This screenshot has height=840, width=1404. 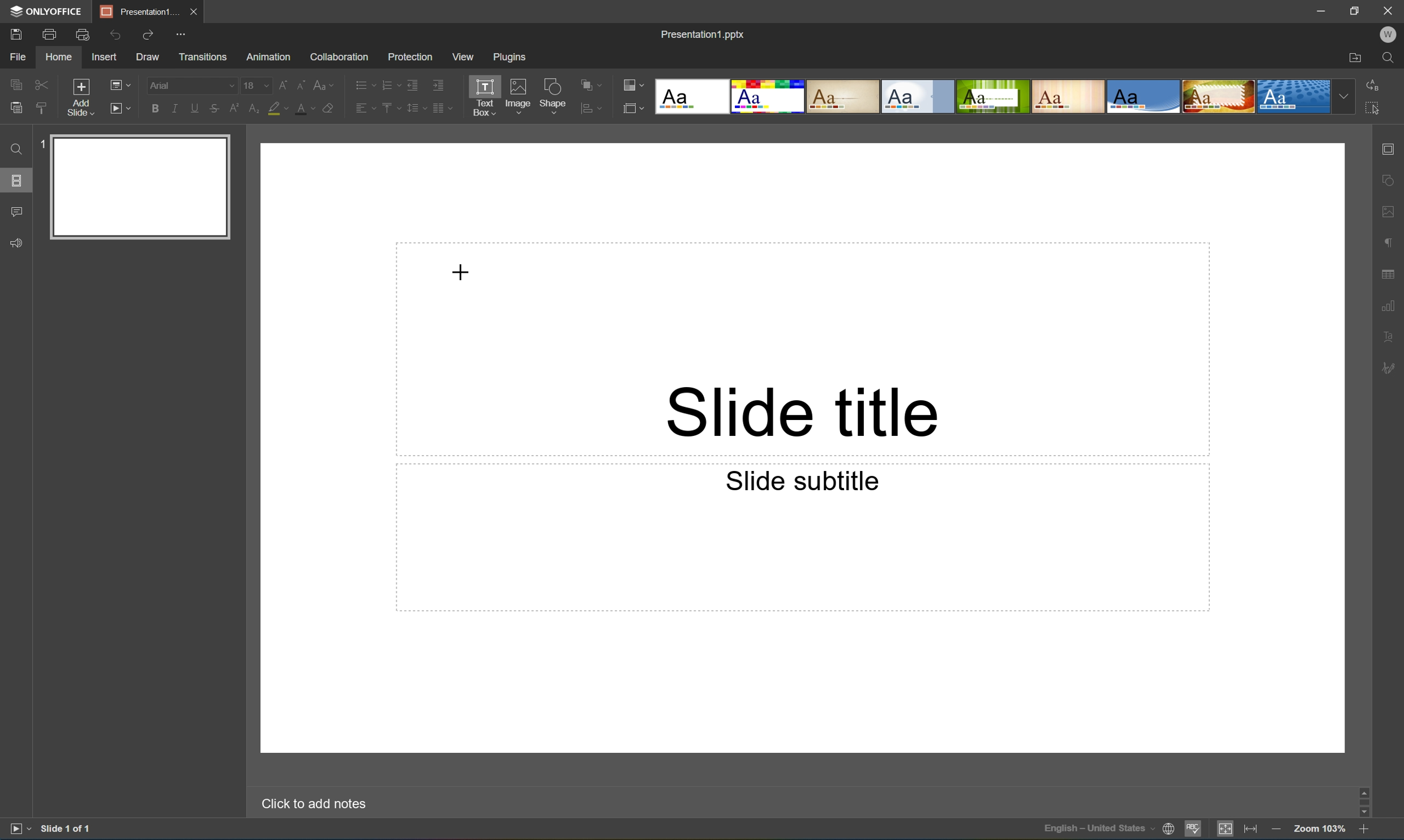 I want to click on Increment font size, so click(x=280, y=83).